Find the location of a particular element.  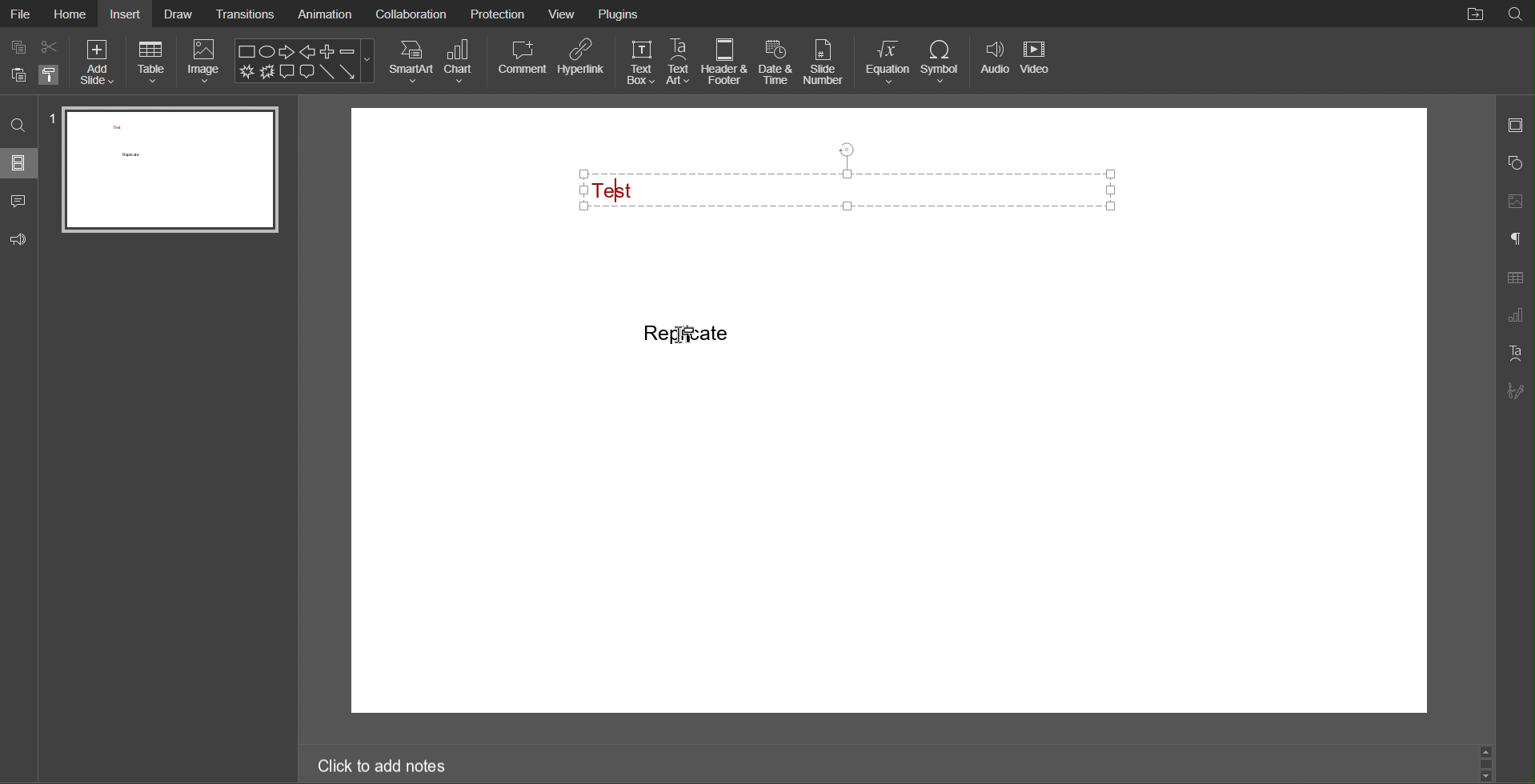

Feedback is located at coordinates (21, 241).